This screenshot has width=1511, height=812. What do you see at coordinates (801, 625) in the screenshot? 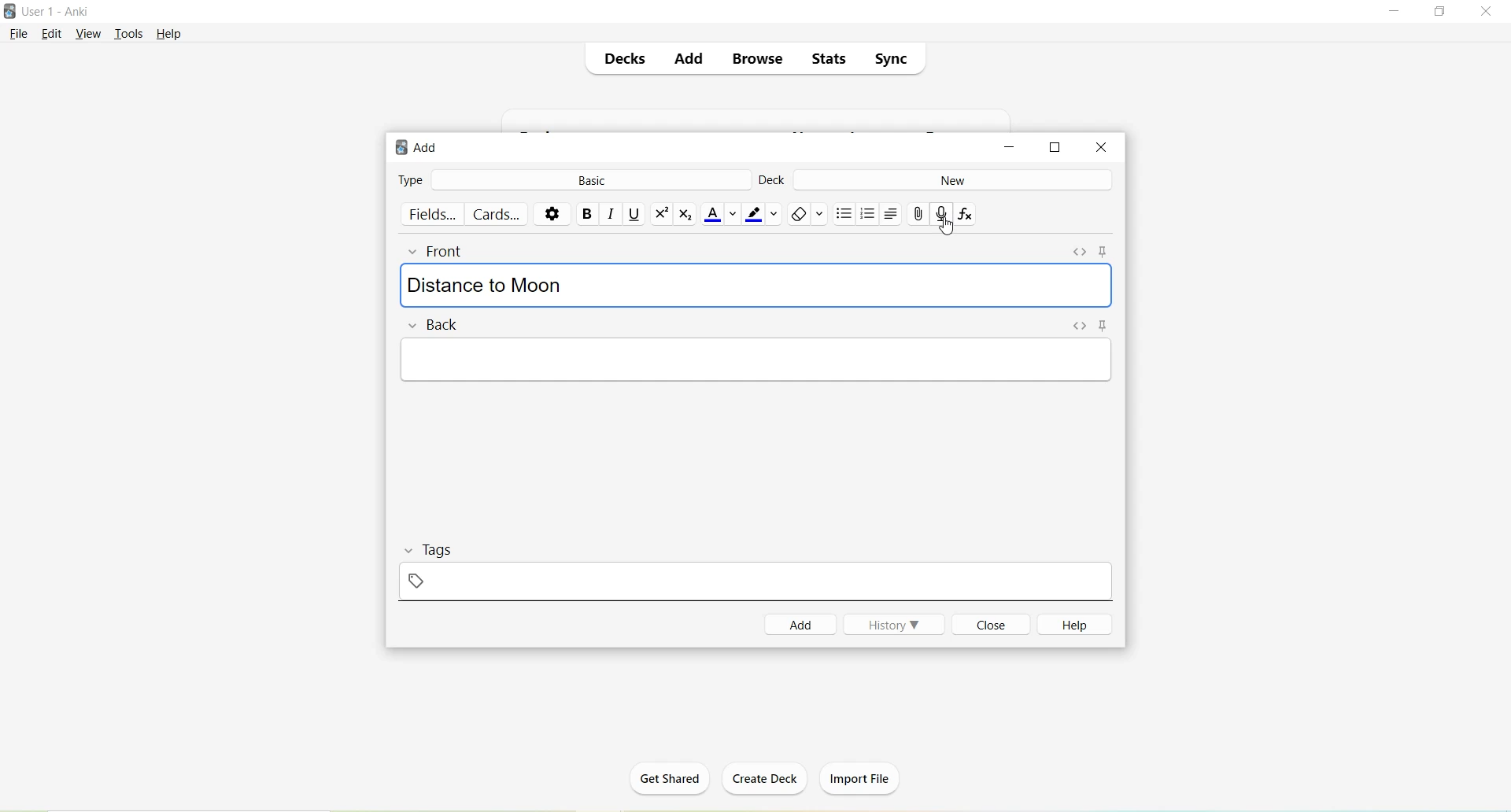
I see `Add` at bounding box center [801, 625].